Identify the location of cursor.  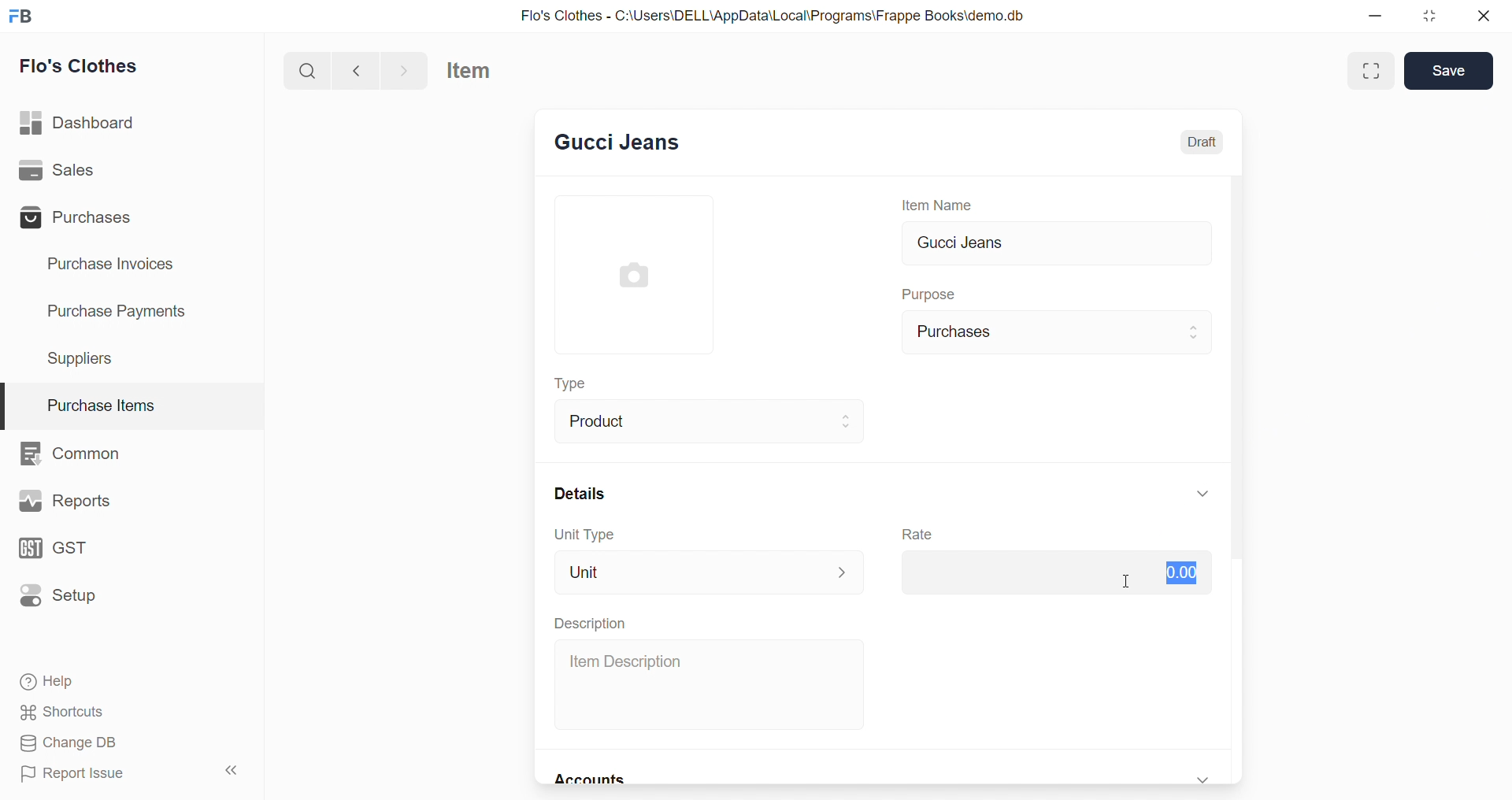
(1128, 580).